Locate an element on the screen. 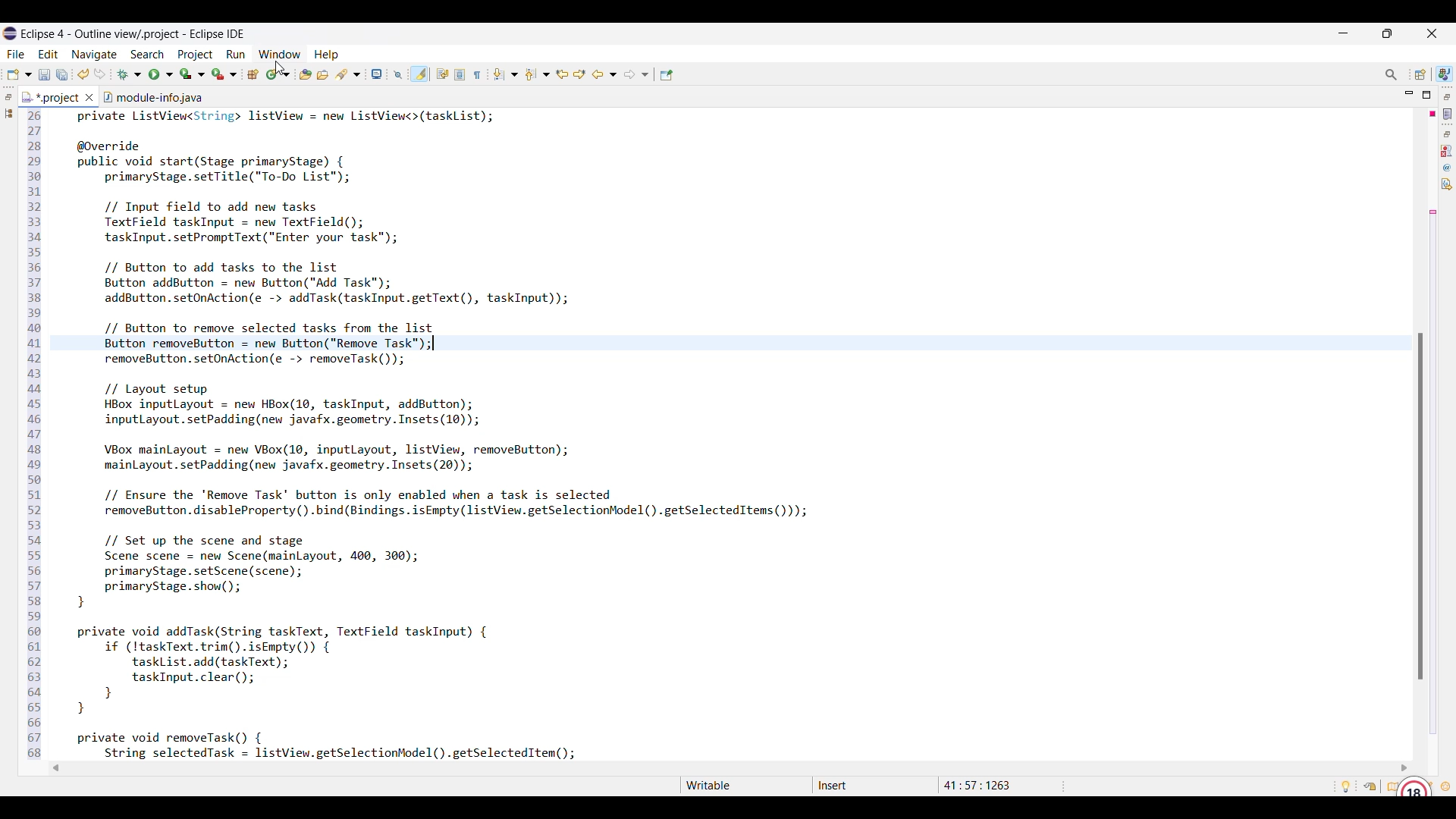 The height and width of the screenshot is (819, 1456). Software logo is located at coordinates (10, 33).